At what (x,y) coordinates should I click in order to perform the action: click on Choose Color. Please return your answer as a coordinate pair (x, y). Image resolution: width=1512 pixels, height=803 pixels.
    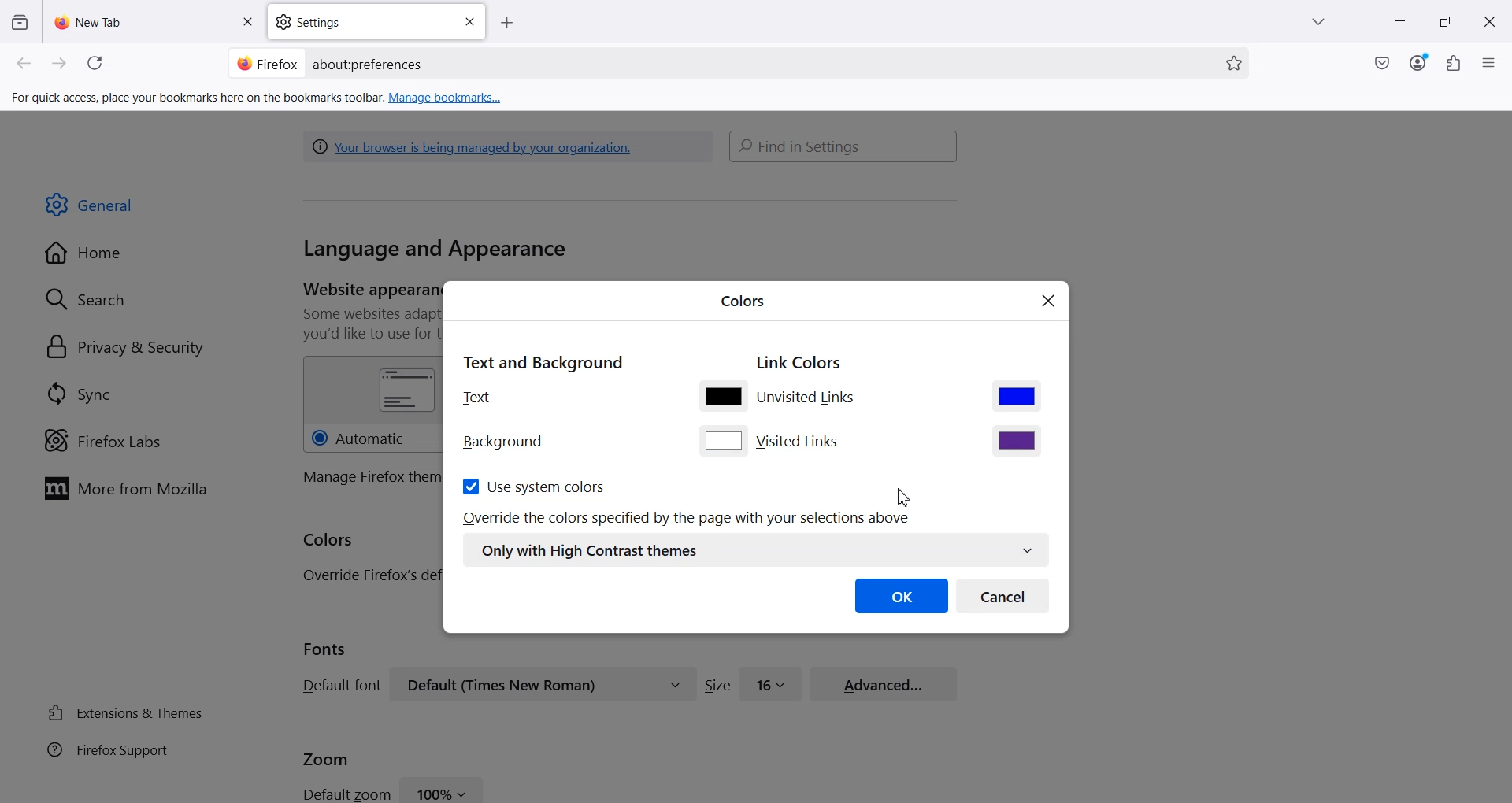
    Looking at the image, I should click on (724, 440).